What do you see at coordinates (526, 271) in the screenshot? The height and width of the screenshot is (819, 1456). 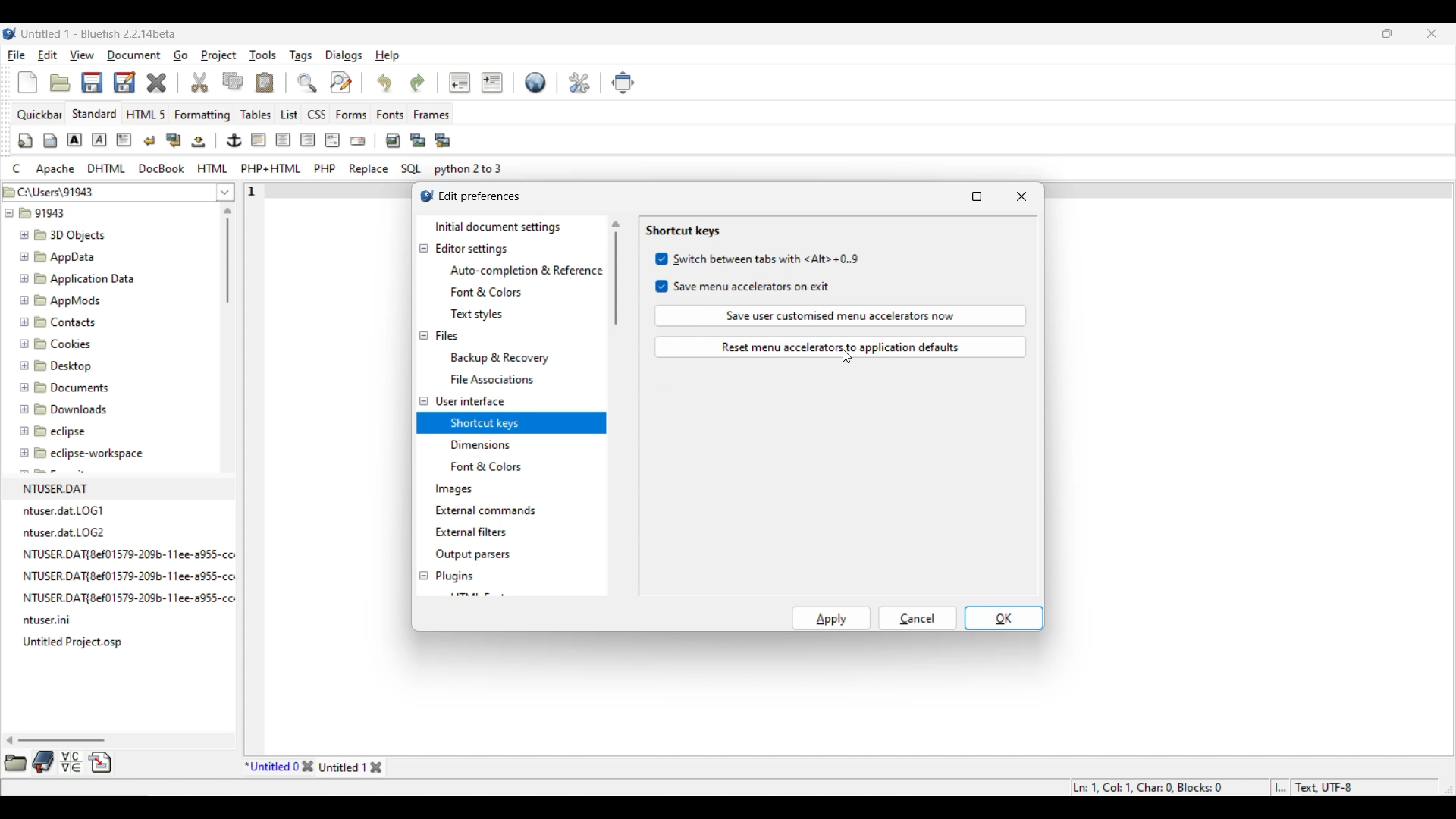 I see `Auto-completion & Reference` at bounding box center [526, 271].